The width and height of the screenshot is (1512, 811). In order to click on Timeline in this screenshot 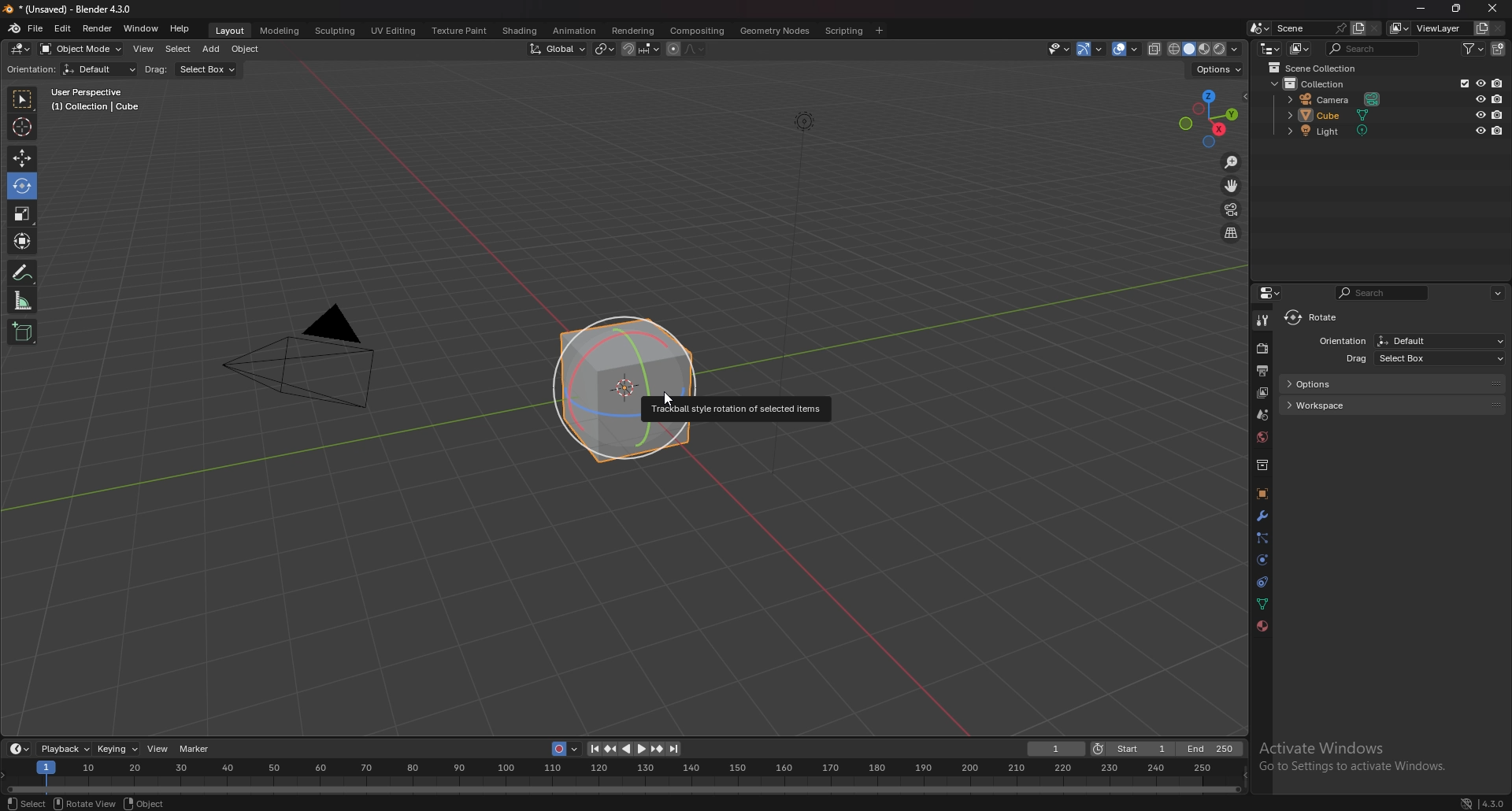, I will do `click(628, 777)`.